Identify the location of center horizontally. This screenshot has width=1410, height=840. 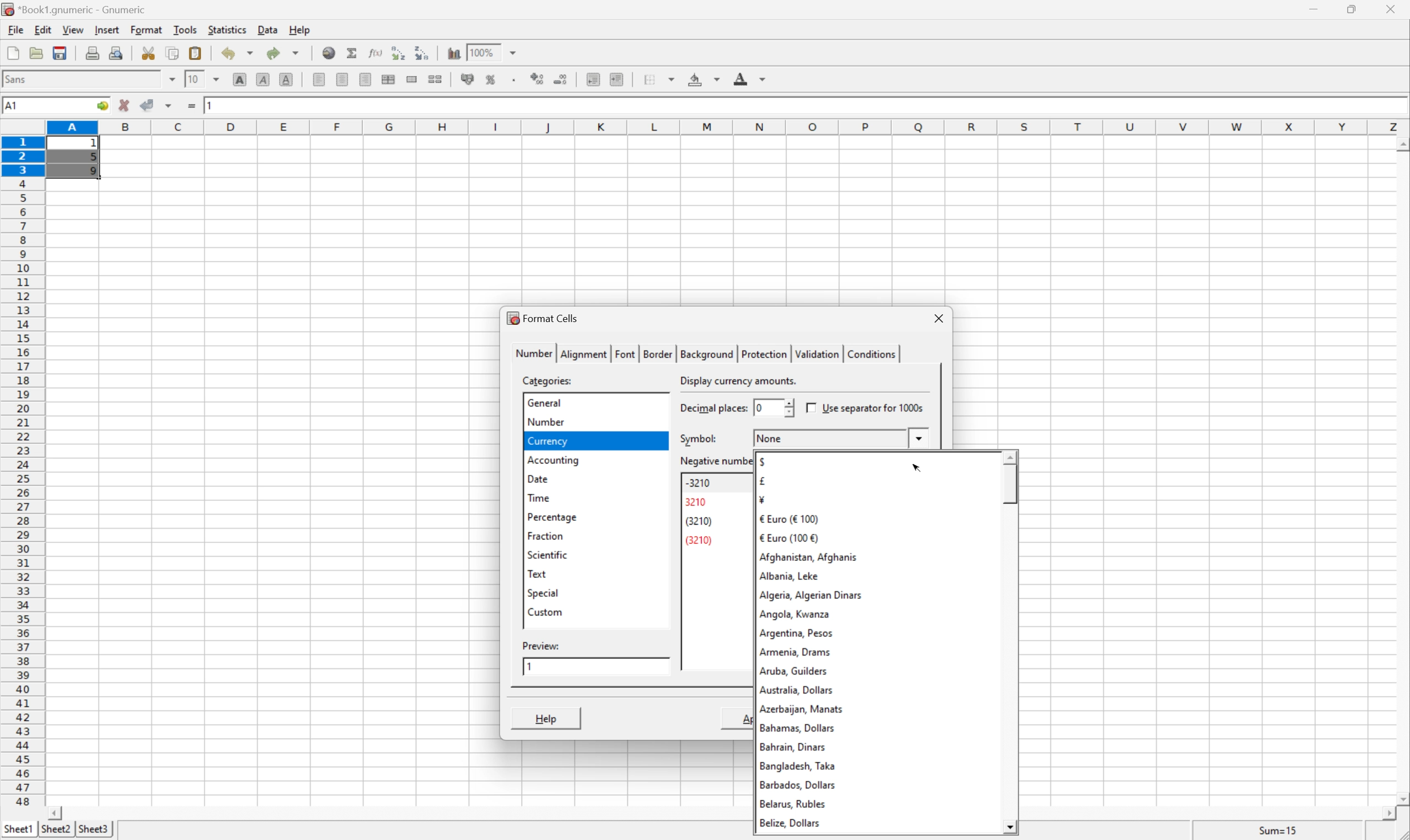
(390, 78).